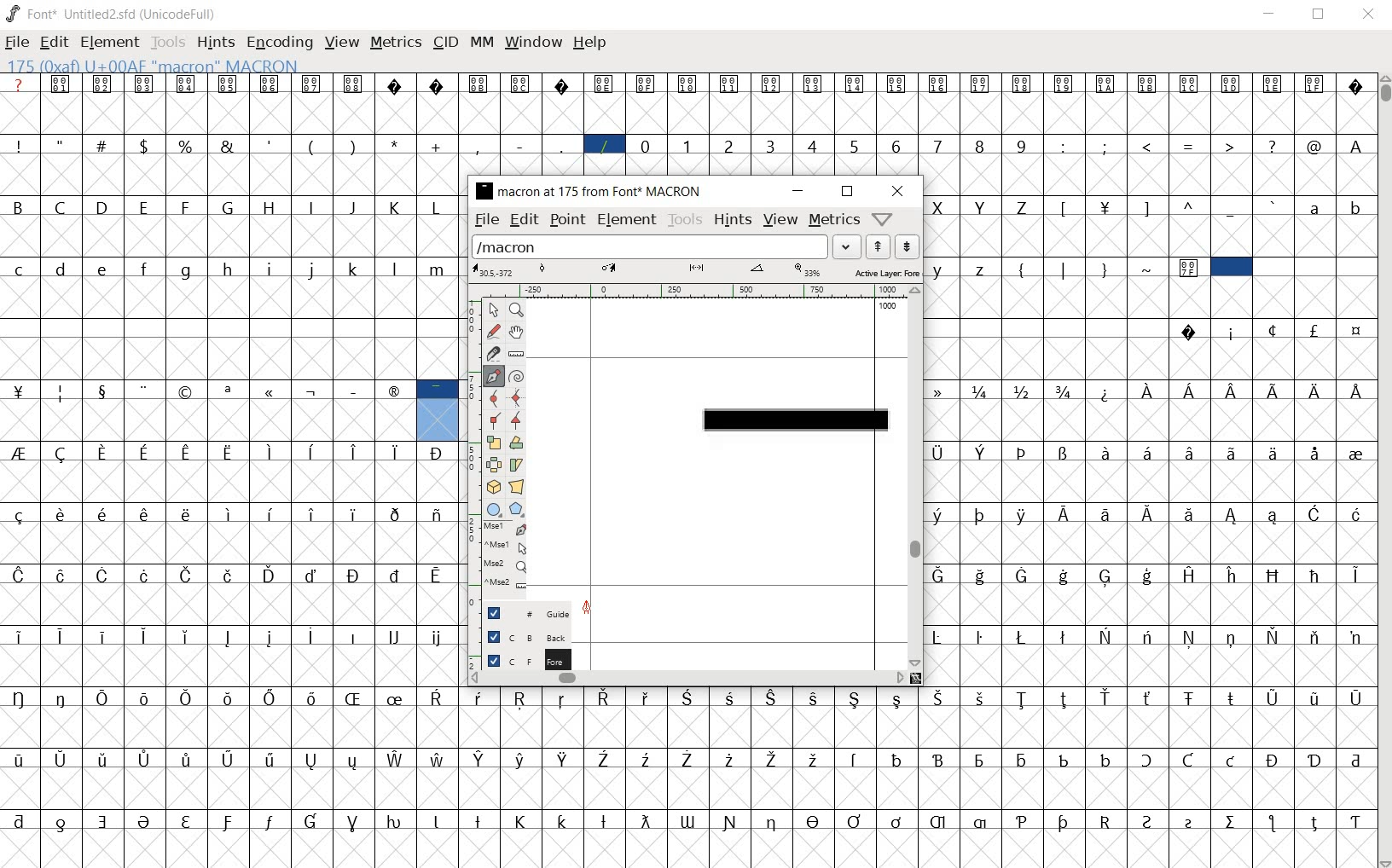 This screenshot has height=868, width=1392. What do you see at coordinates (644, 820) in the screenshot?
I see `Symbol` at bounding box center [644, 820].